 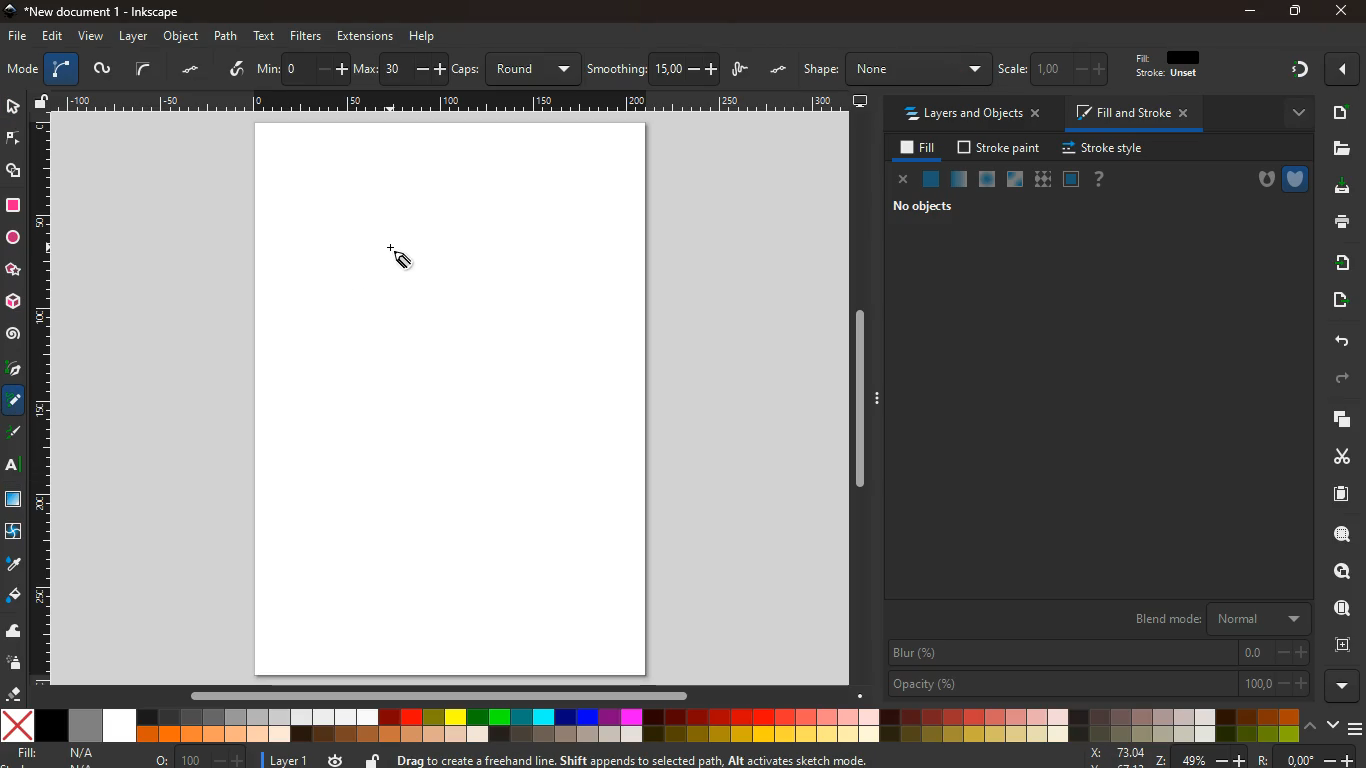 What do you see at coordinates (193, 70) in the screenshot?
I see `dots` at bounding box center [193, 70].